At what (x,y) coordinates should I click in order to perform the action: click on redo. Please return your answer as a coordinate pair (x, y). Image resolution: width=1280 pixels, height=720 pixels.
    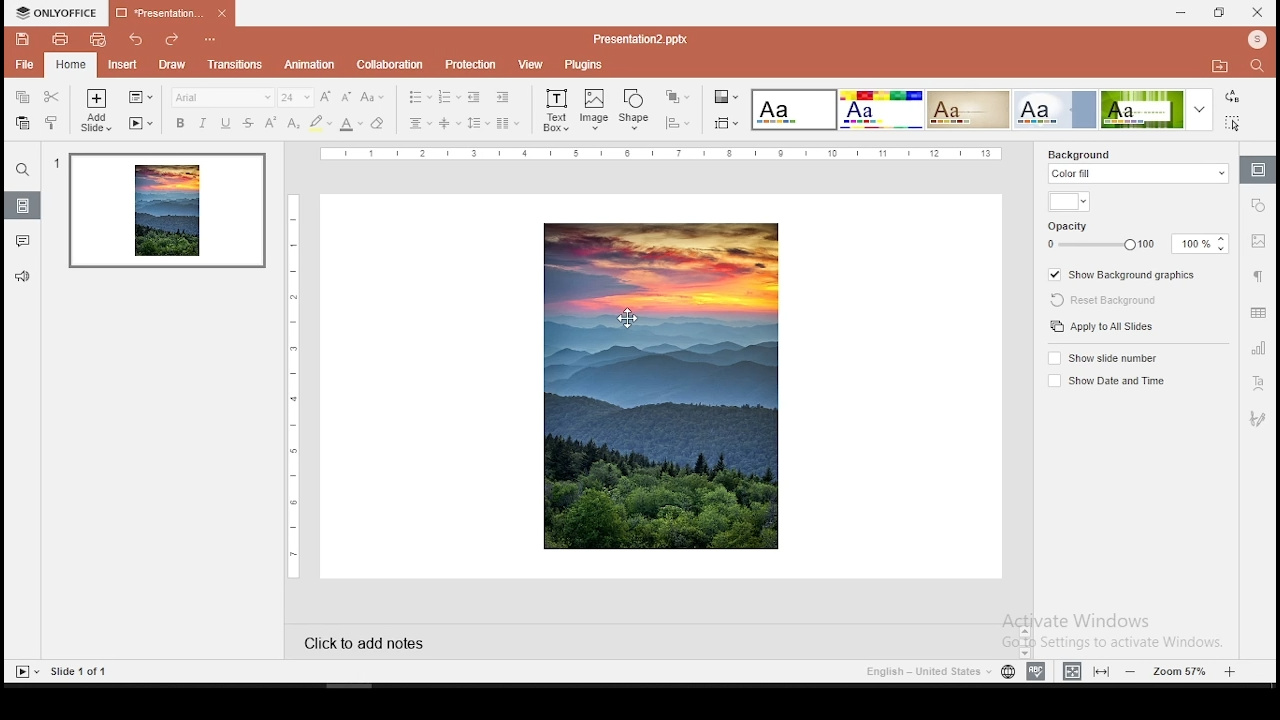
    Looking at the image, I should click on (172, 41).